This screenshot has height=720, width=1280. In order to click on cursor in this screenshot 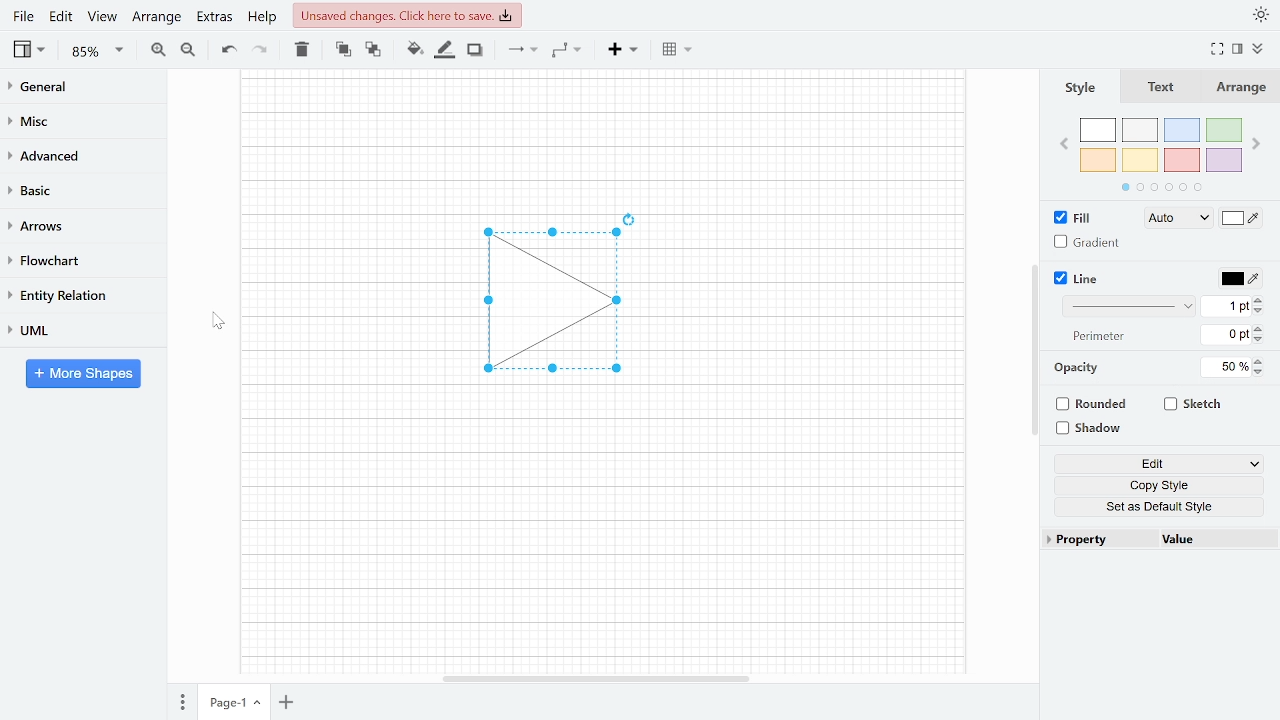, I will do `click(214, 320)`.